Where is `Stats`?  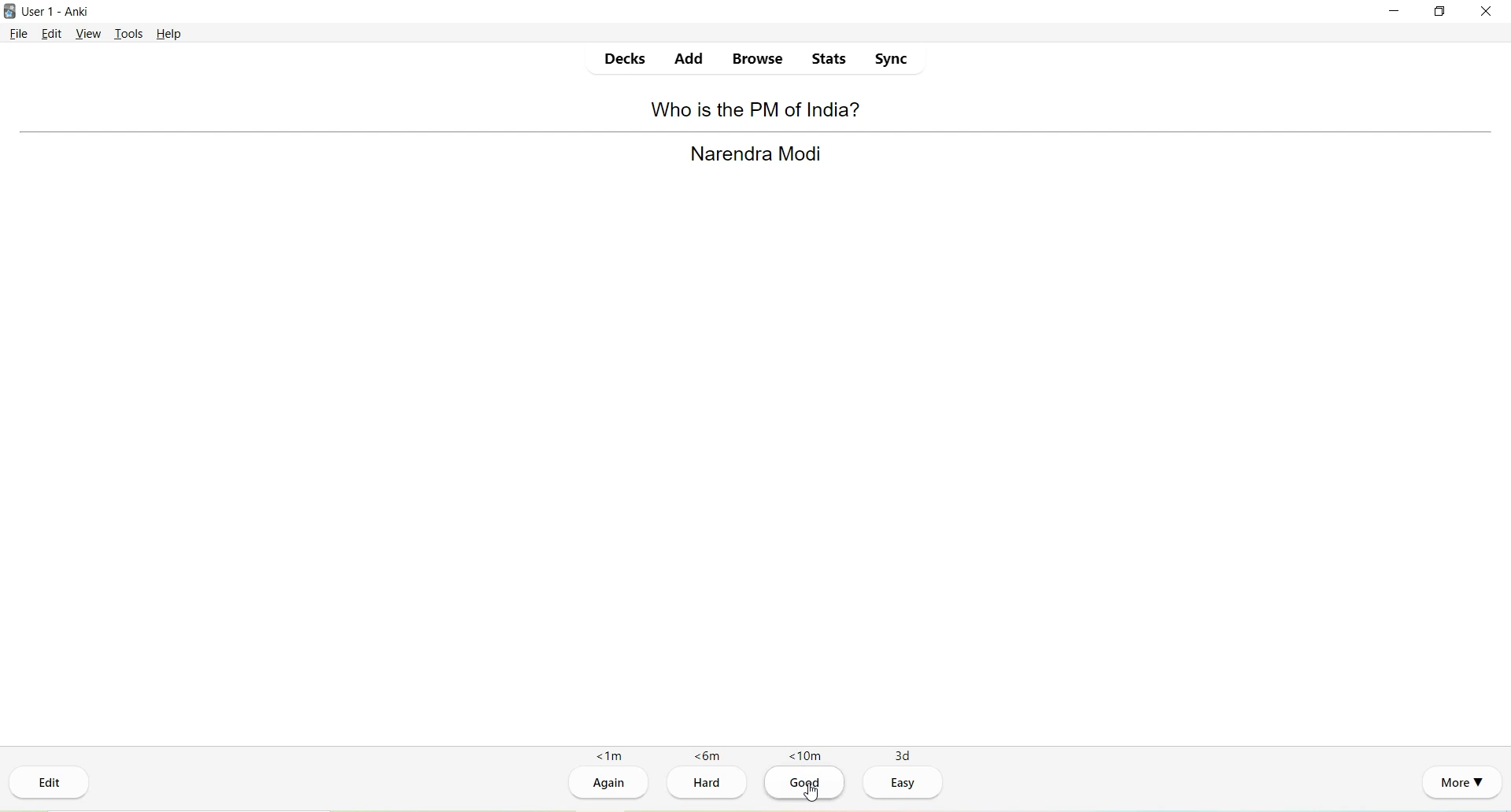 Stats is located at coordinates (829, 61).